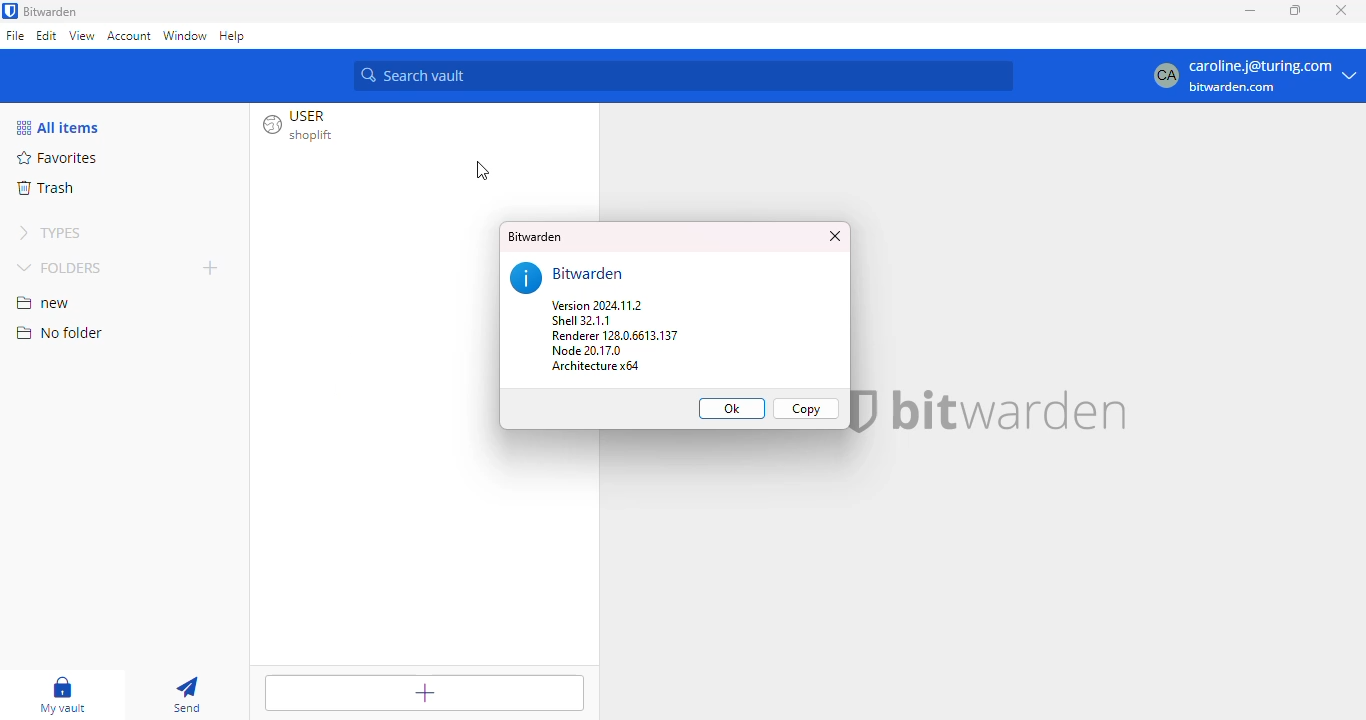 The image size is (1366, 720). What do you see at coordinates (594, 368) in the screenshot?
I see `Architecture x64` at bounding box center [594, 368].